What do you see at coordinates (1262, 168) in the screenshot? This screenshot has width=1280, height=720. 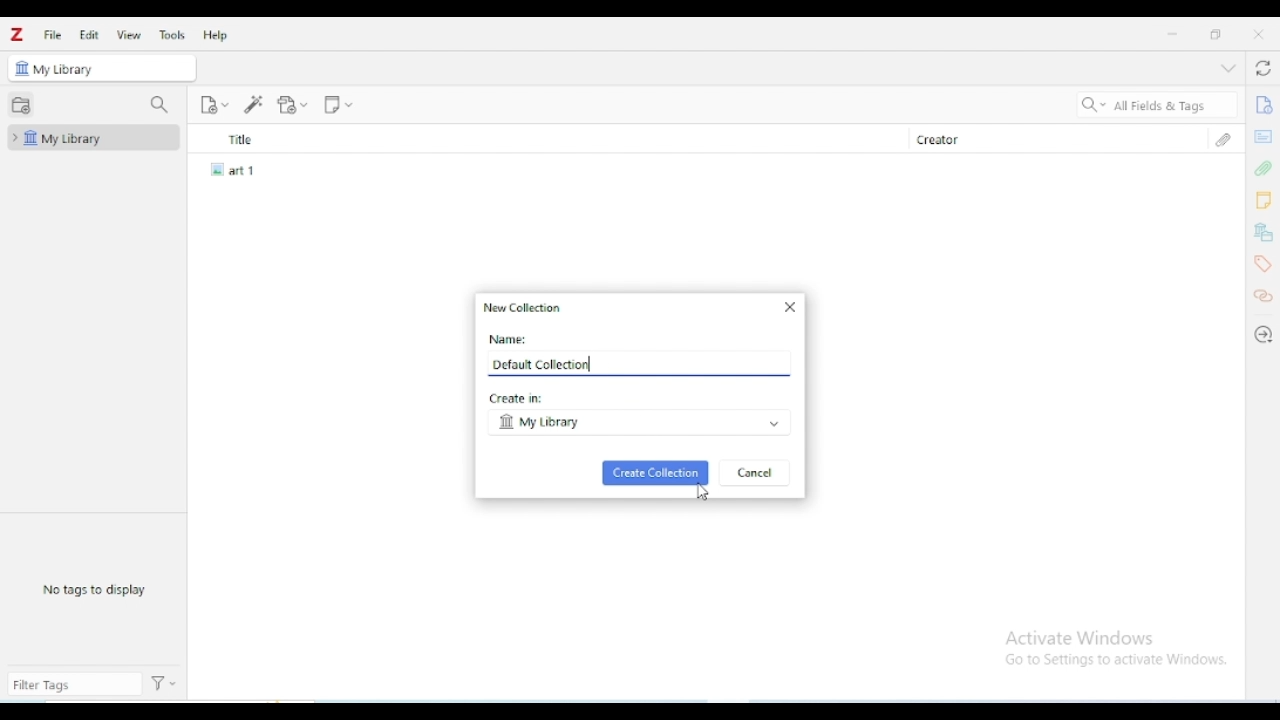 I see `attachments` at bounding box center [1262, 168].